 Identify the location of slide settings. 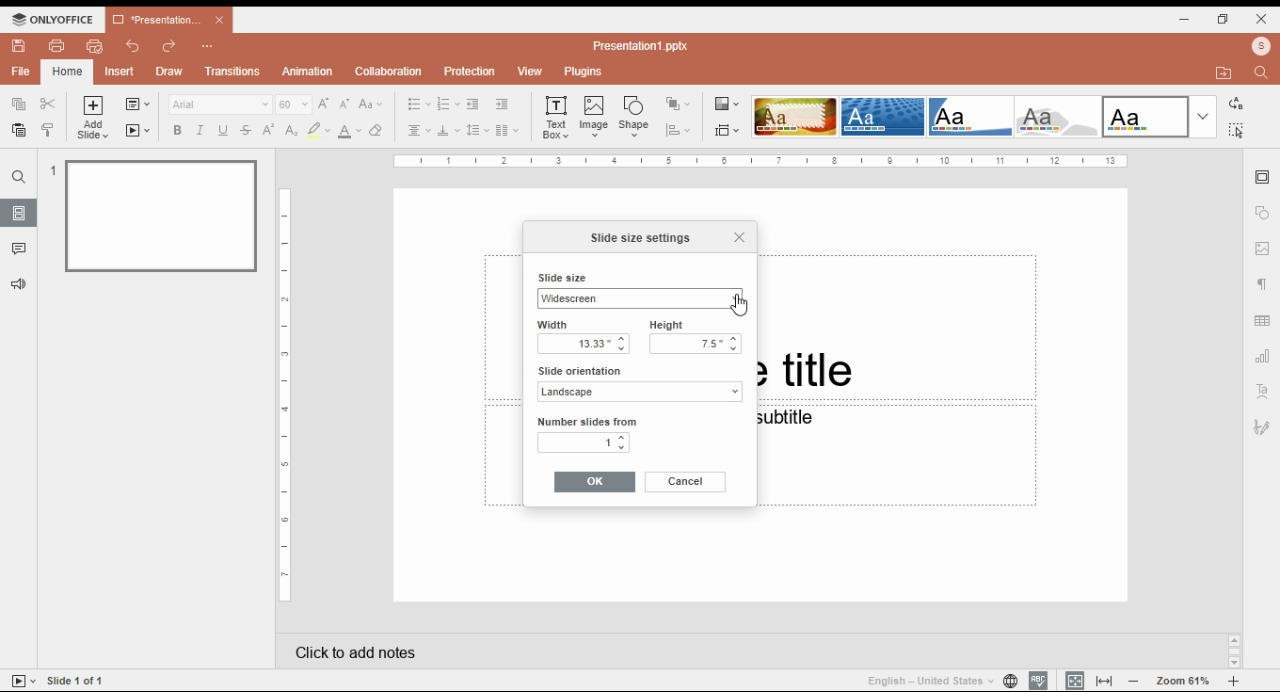
(1264, 178).